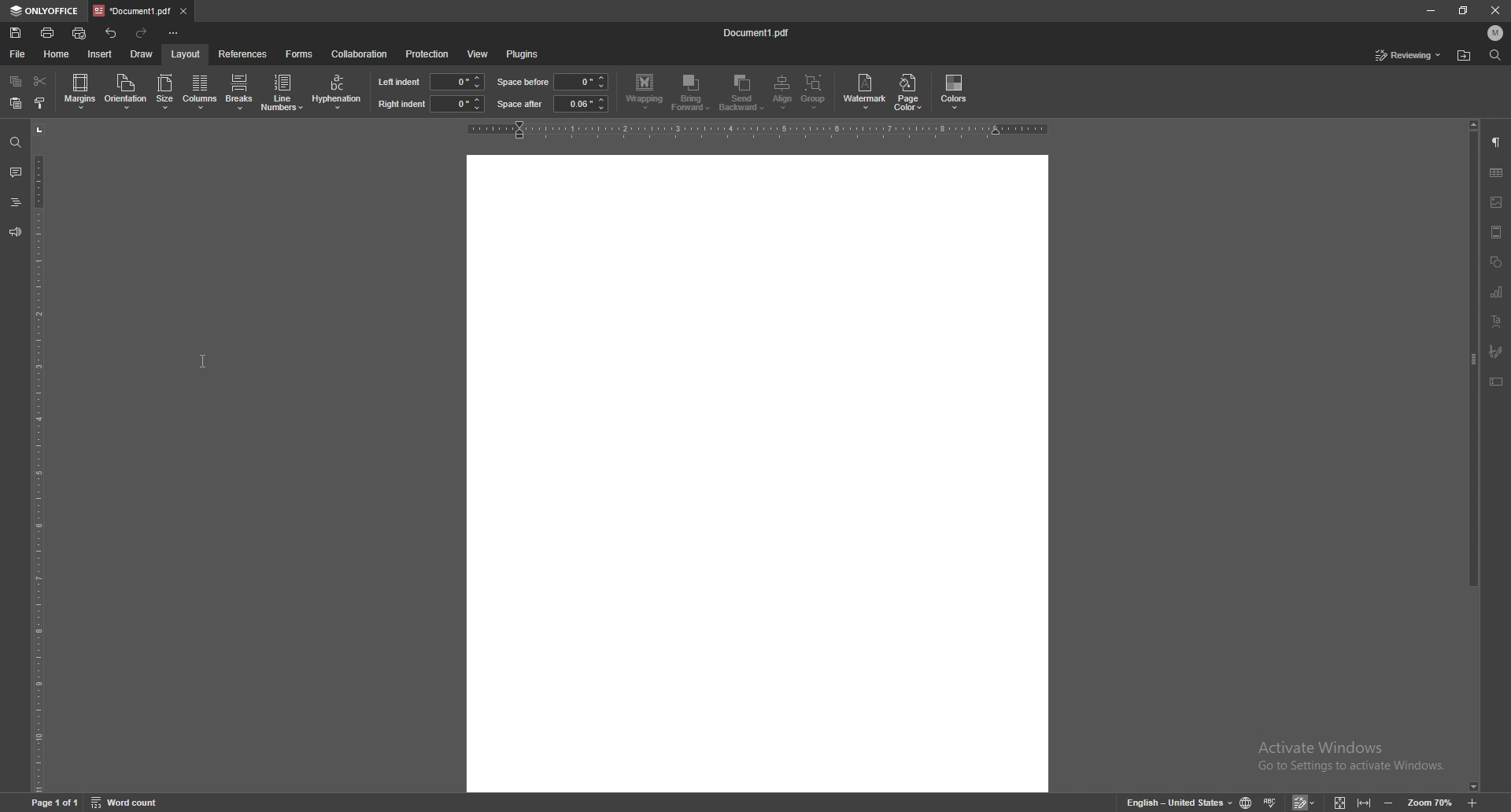 The image size is (1511, 812). I want to click on paste, so click(17, 103).